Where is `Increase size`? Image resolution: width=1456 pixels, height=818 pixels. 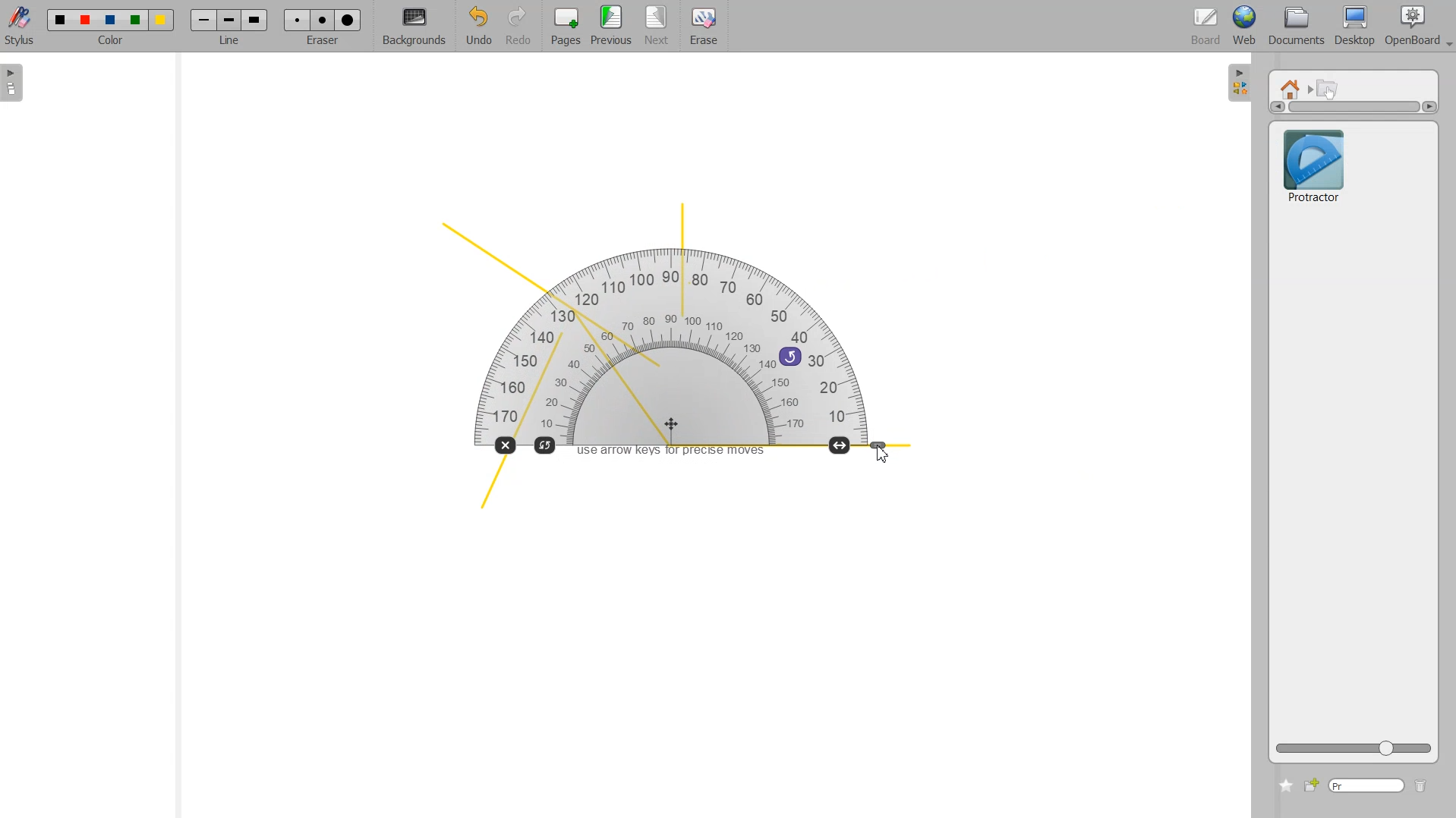 Increase size is located at coordinates (841, 445).